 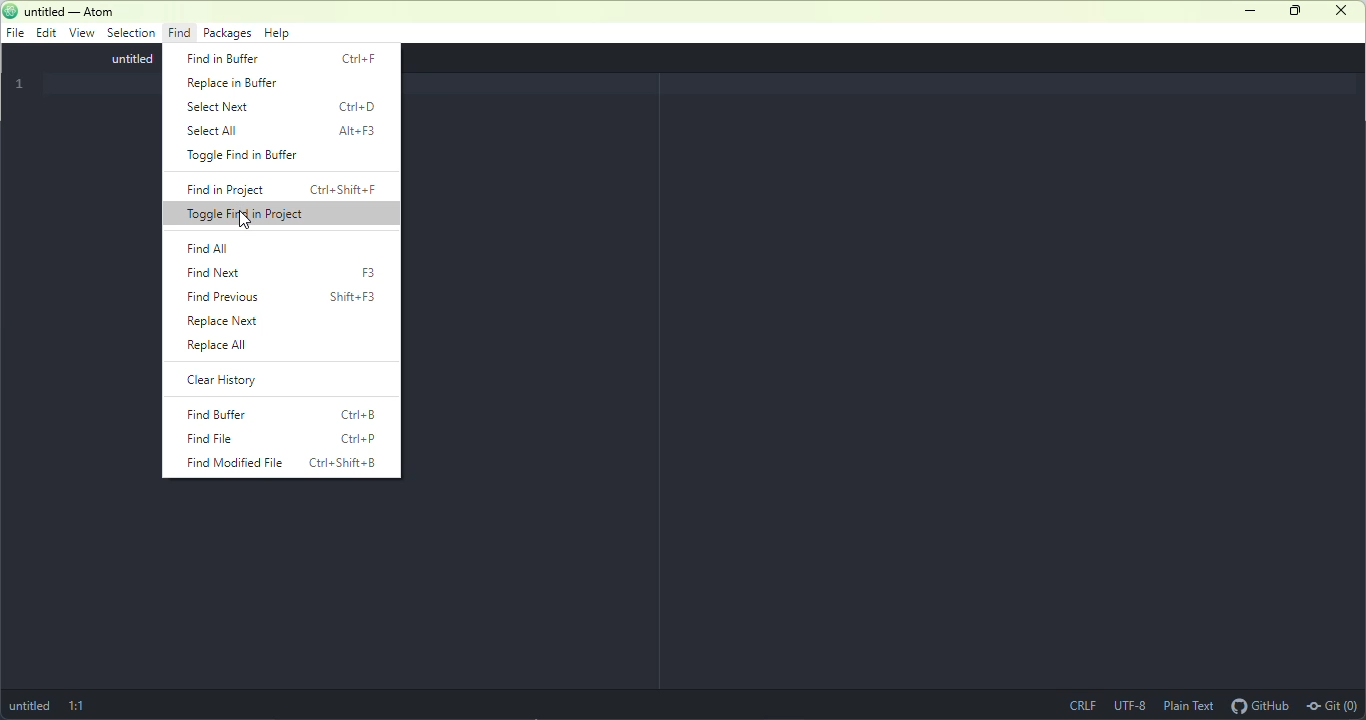 What do you see at coordinates (286, 298) in the screenshot?
I see `find previous` at bounding box center [286, 298].